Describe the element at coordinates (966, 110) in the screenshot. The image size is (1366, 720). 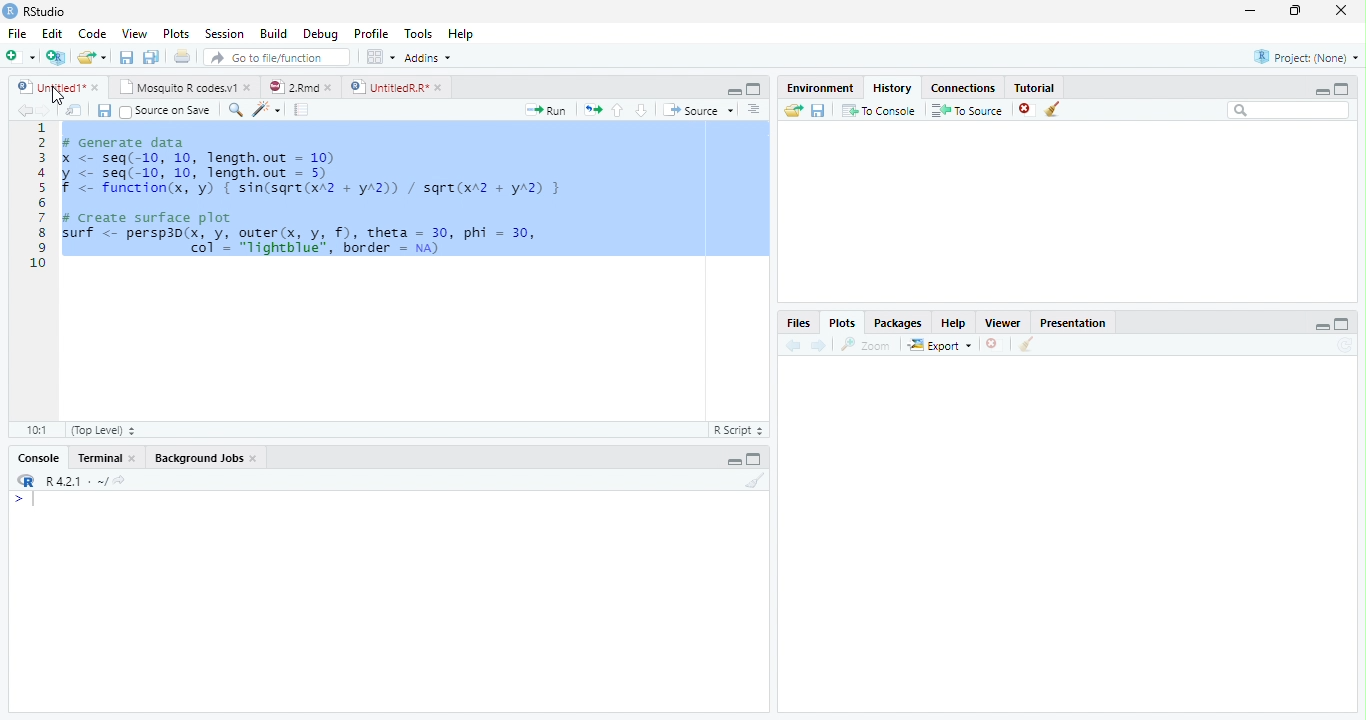
I see `To Source` at that location.